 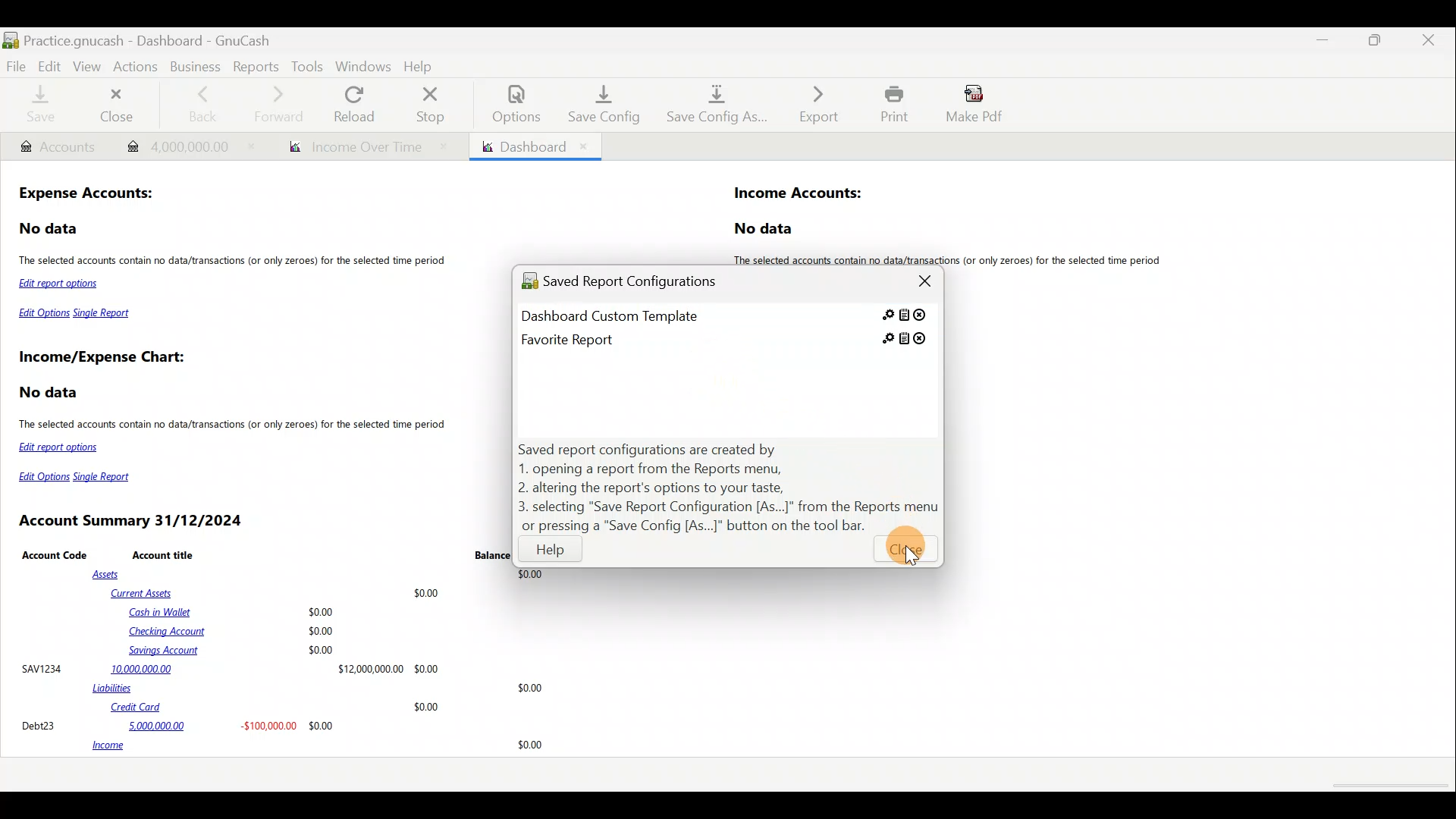 I want to click on Maximise, so click(x=1378, y=45).